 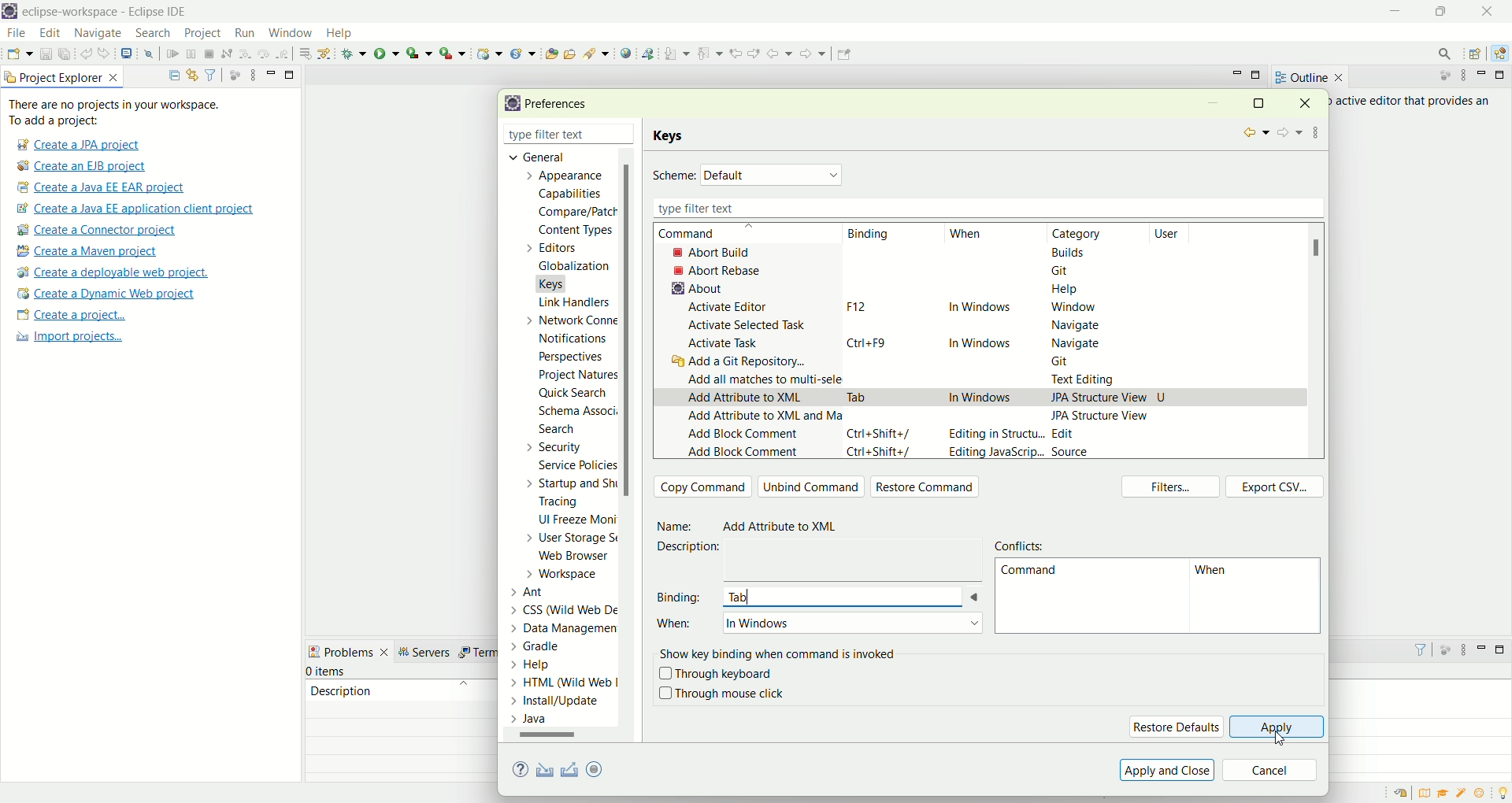 What do you see at coordinates (341, 690) in the screenshot?
I see `description` at bounding box center [341, 690].